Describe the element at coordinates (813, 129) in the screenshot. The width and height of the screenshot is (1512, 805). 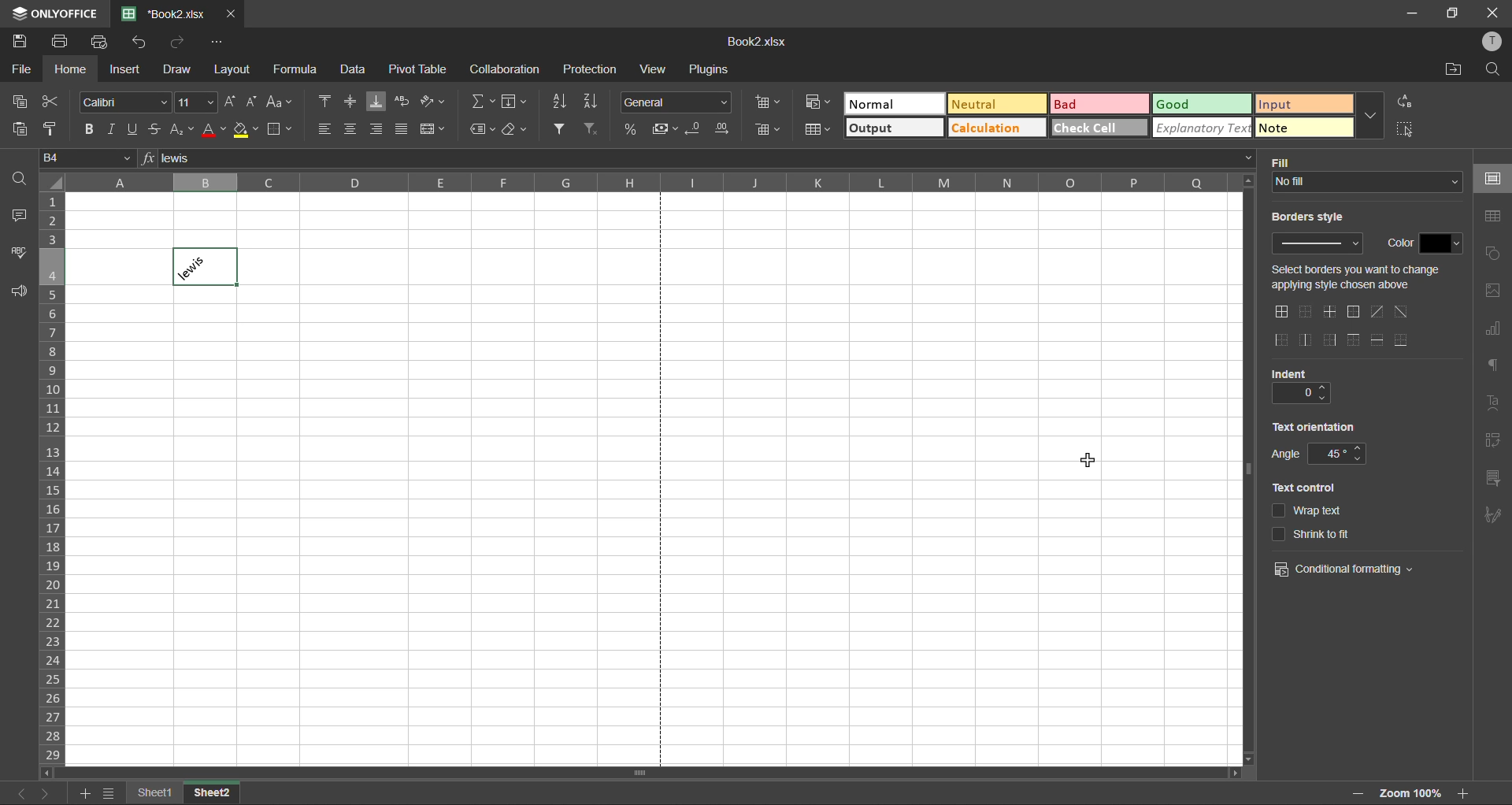
I see `format as table` at that location.